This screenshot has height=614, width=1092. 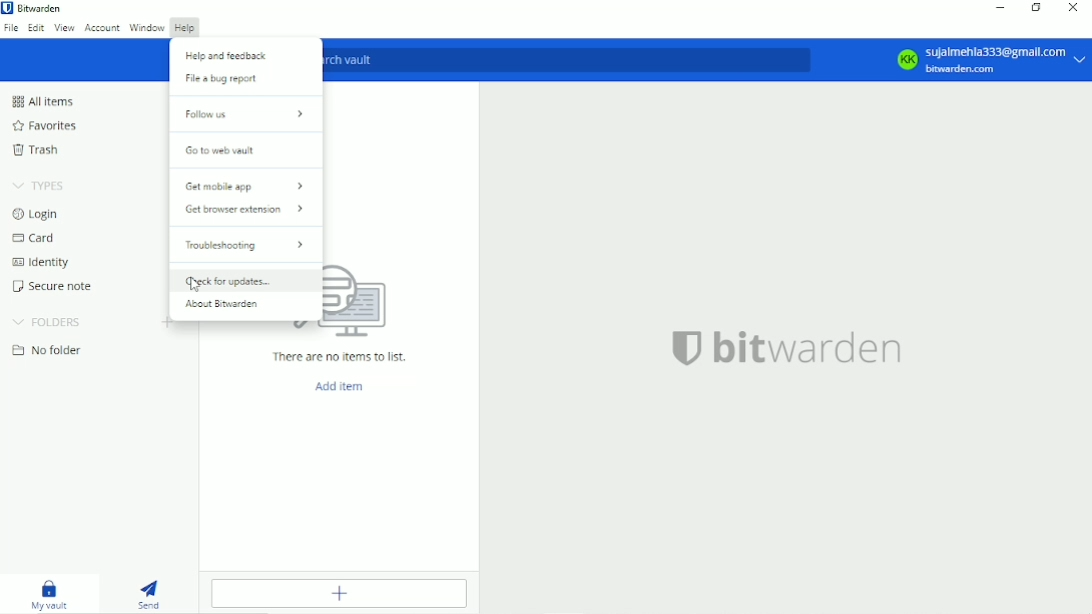 What do you see at coordinates (230, 151) in the screenshot?
I see `Go to web vault` at bounding box center [230, 151].